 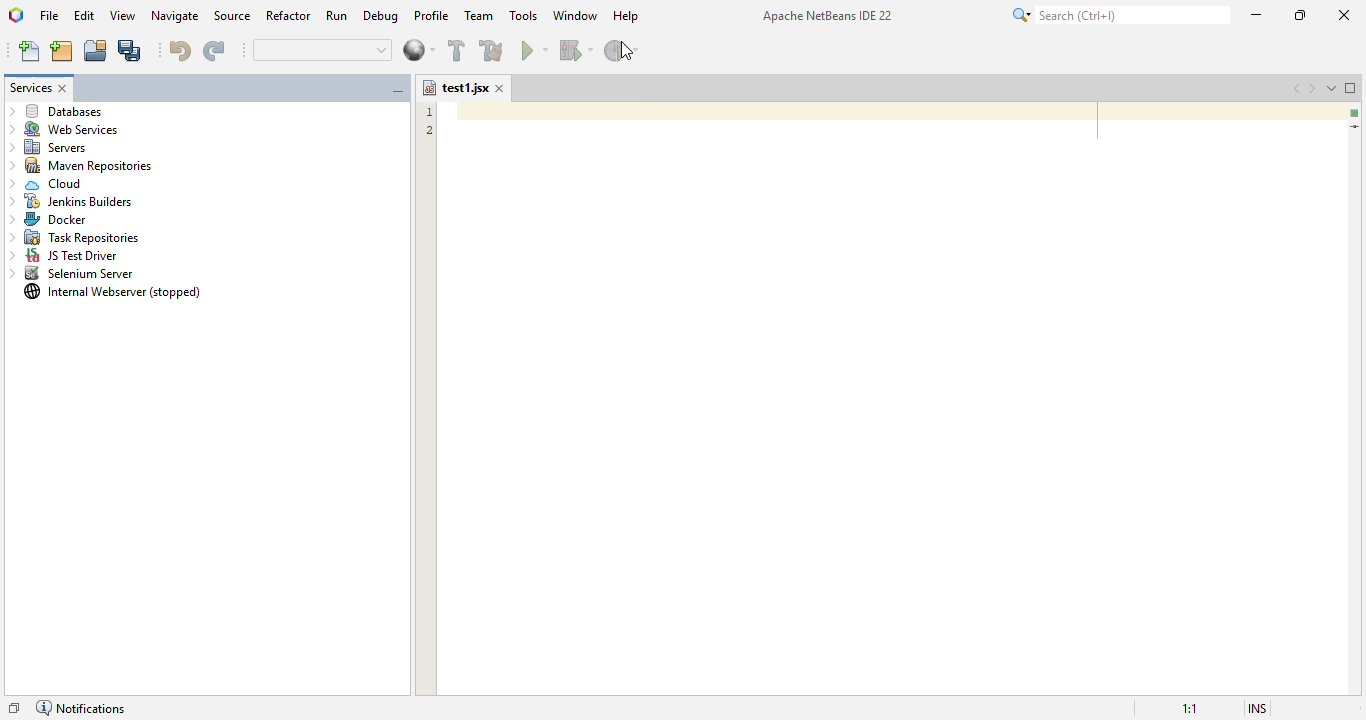 I want to click on task repositories, so click(x=72, y=239).